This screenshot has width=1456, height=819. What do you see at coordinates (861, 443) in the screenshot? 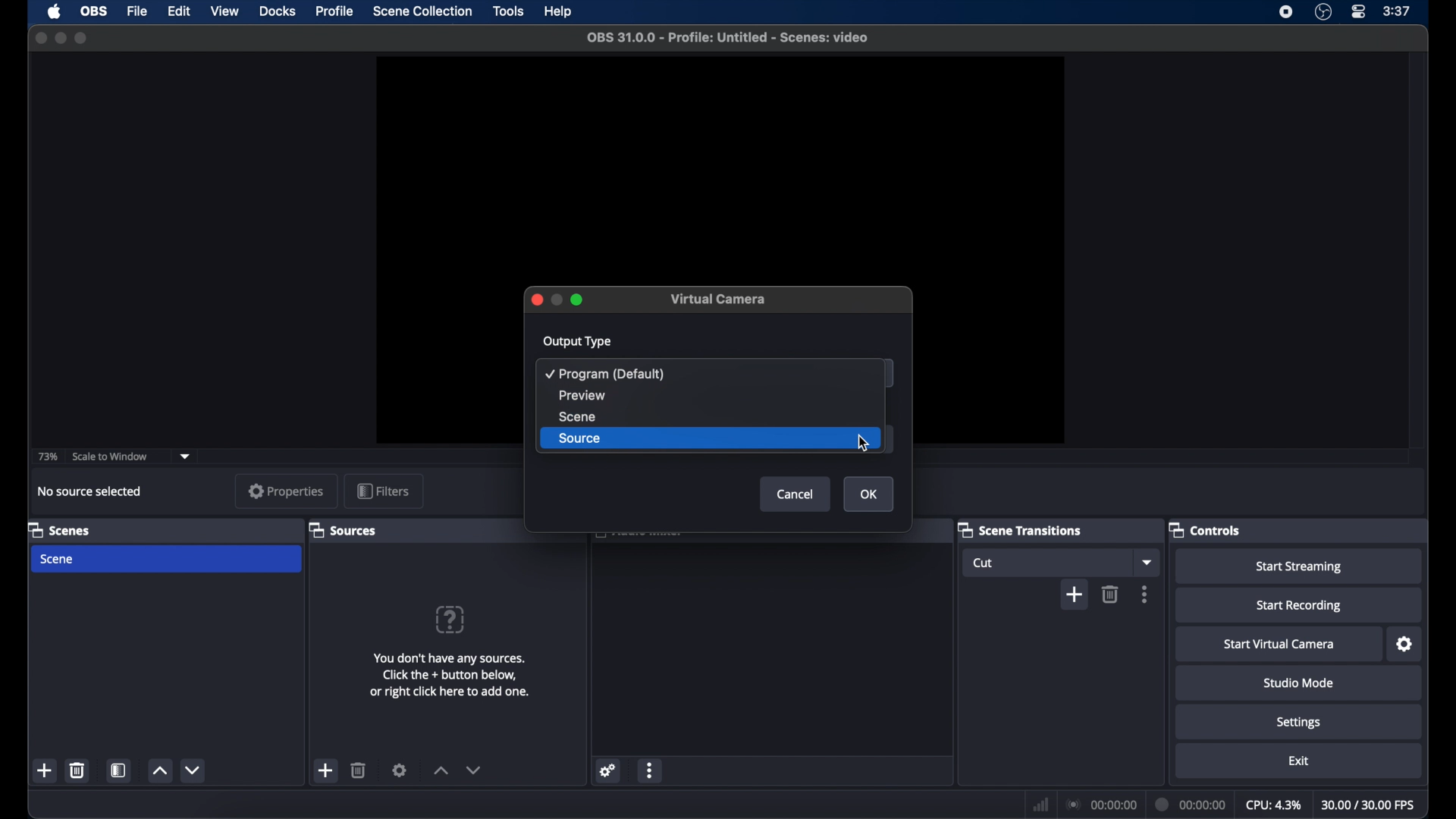
I see `cursor` at bounding box center [861, 443].